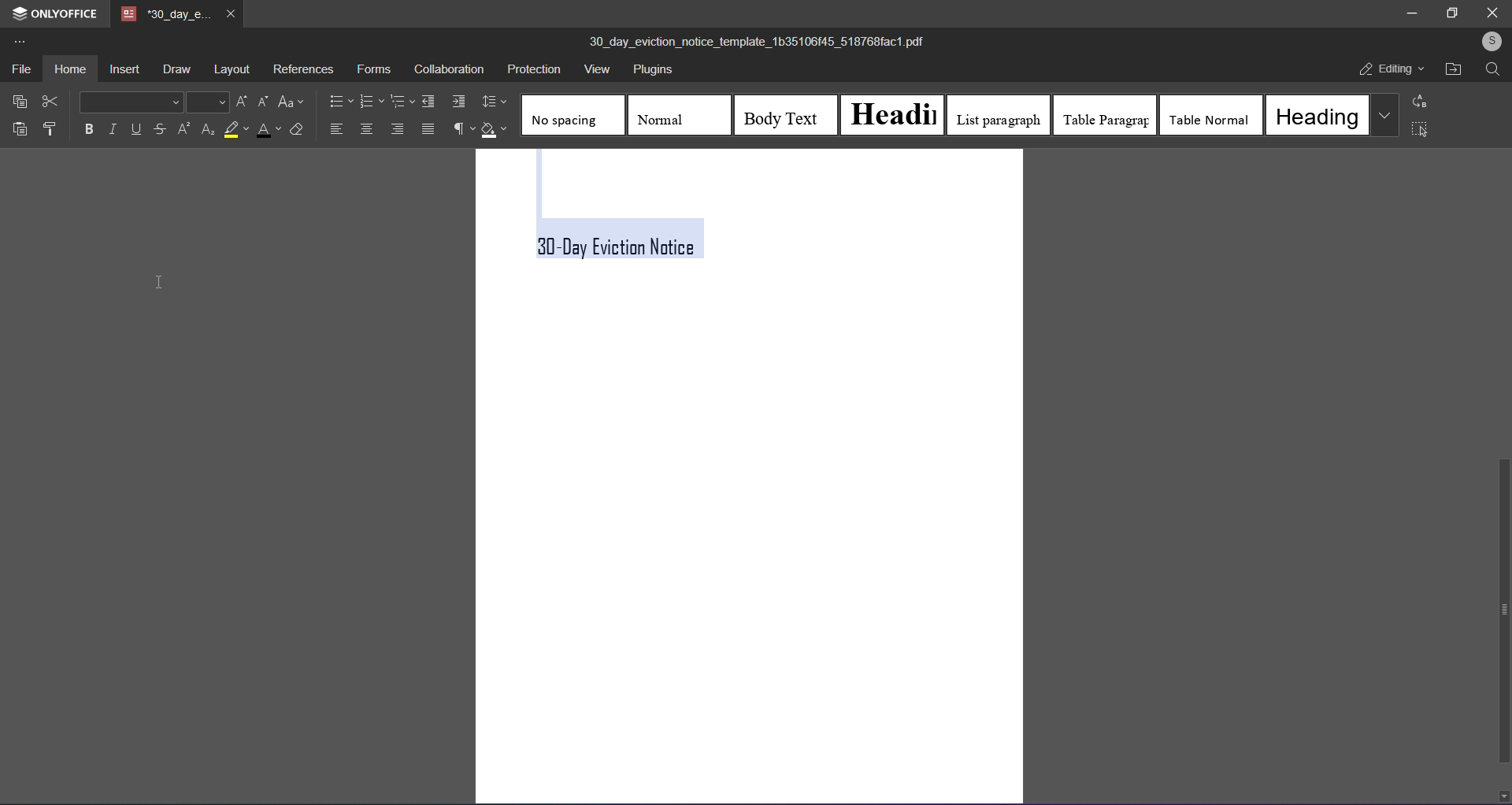  What do you see at coordinates (206, 131) in the screenshot?
I see `subscript` at bounding box center [206, 131].